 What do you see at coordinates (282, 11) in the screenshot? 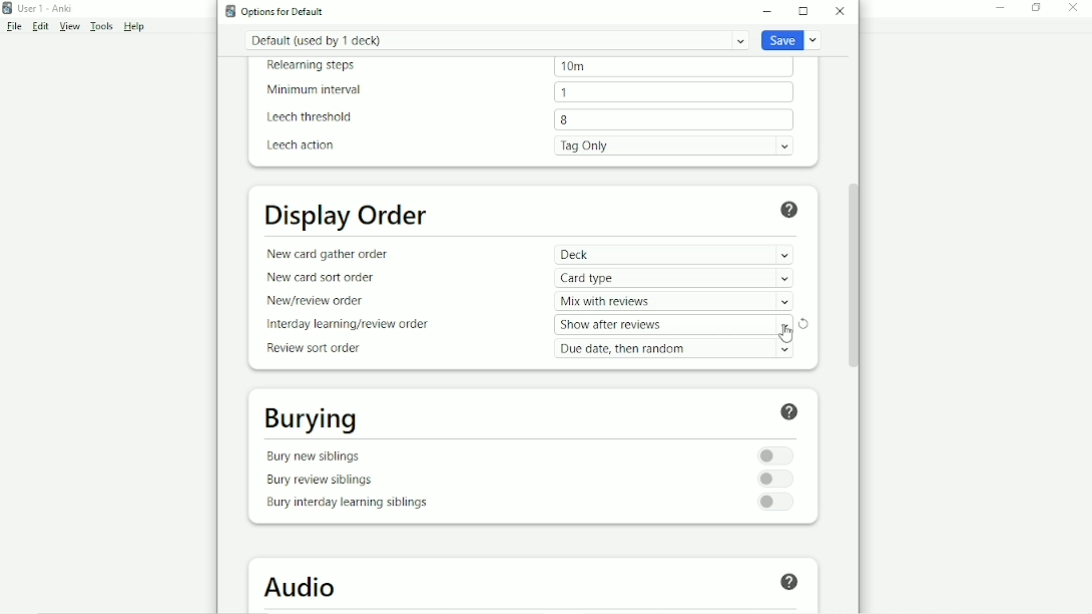
I see `Options for default` at bounding box center [282, 11].